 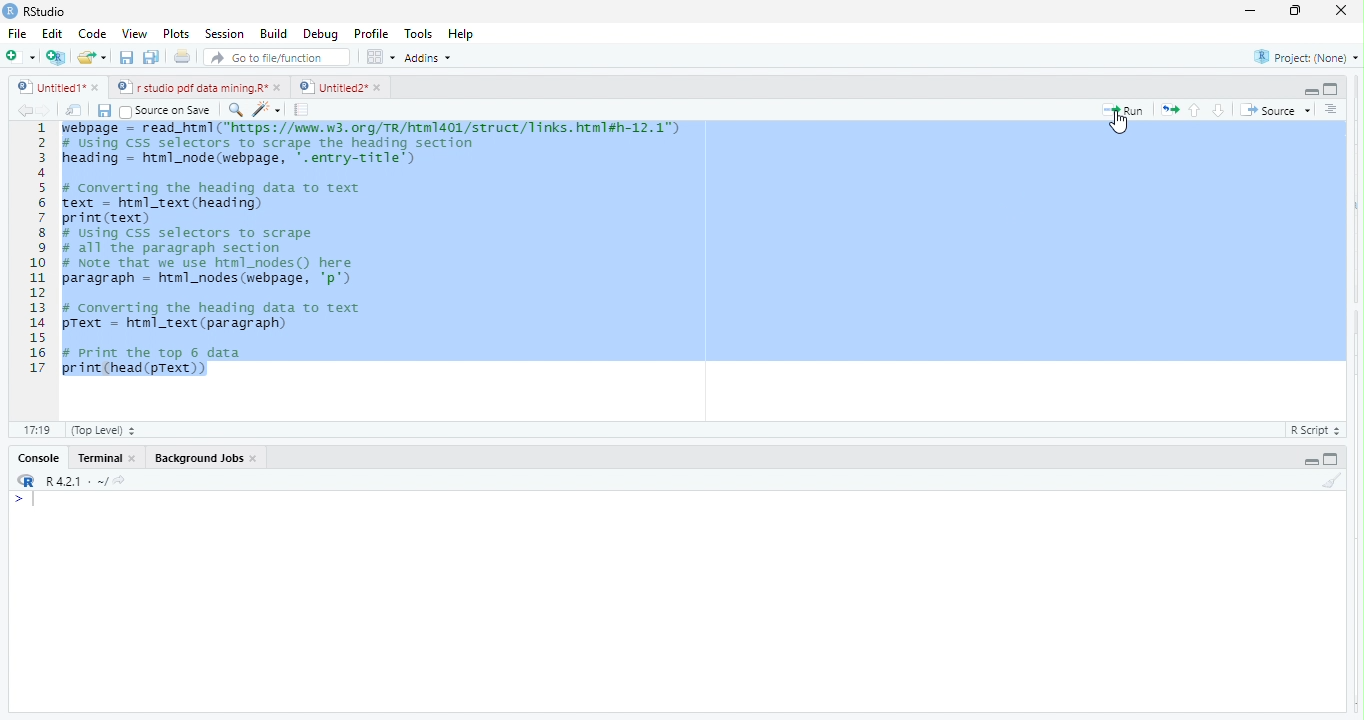 What do you see at coordinates (375, 35) in the screenshot?
I see `Profile` at bounding box center [375, 35].